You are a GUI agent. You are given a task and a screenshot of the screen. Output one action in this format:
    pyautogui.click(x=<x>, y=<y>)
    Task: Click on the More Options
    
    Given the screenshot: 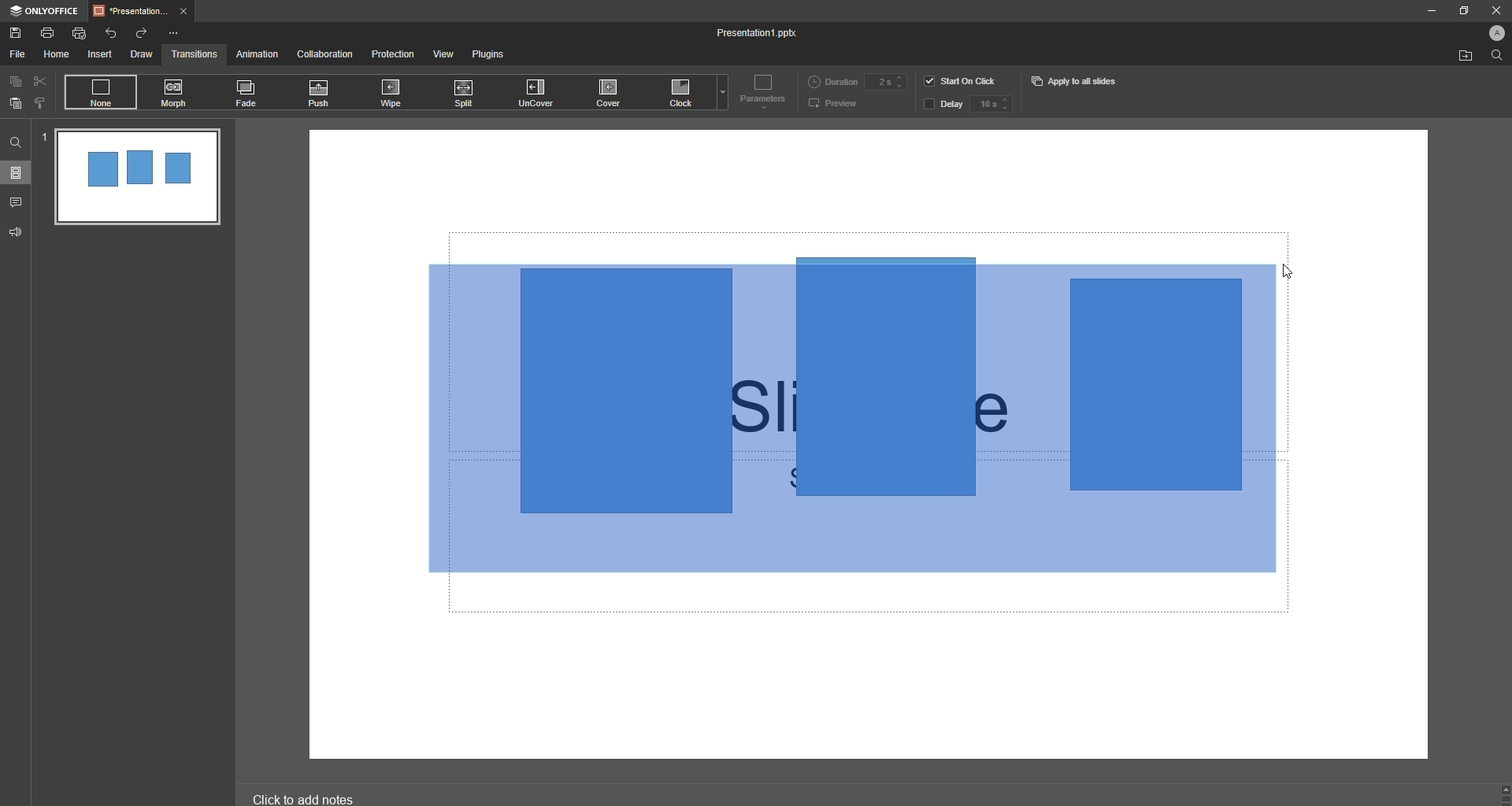 What is the action you would take?
    pyautogui.click(x=176, y=33)
    